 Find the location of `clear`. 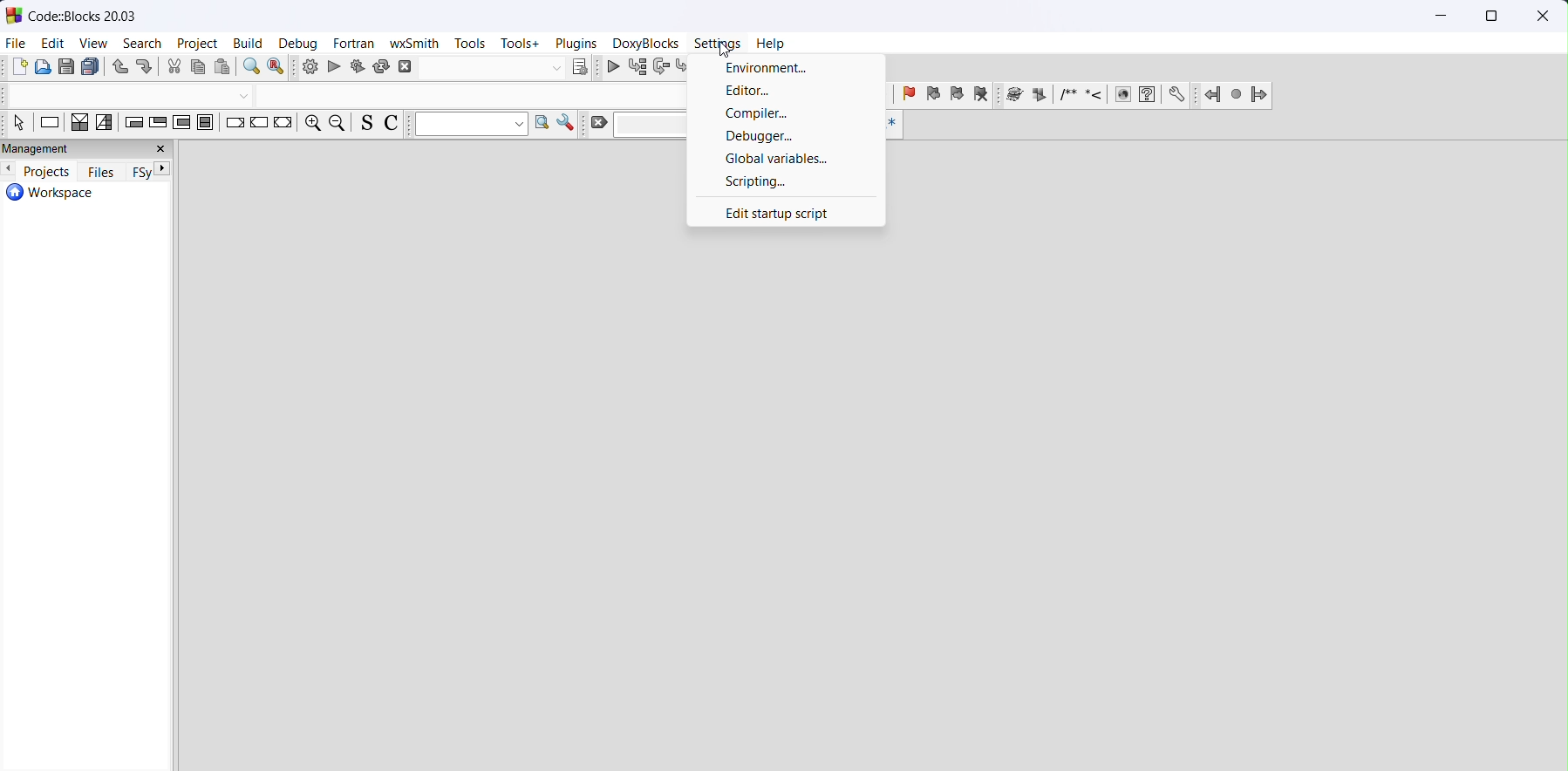

clear is located at coordinates (632, 125).